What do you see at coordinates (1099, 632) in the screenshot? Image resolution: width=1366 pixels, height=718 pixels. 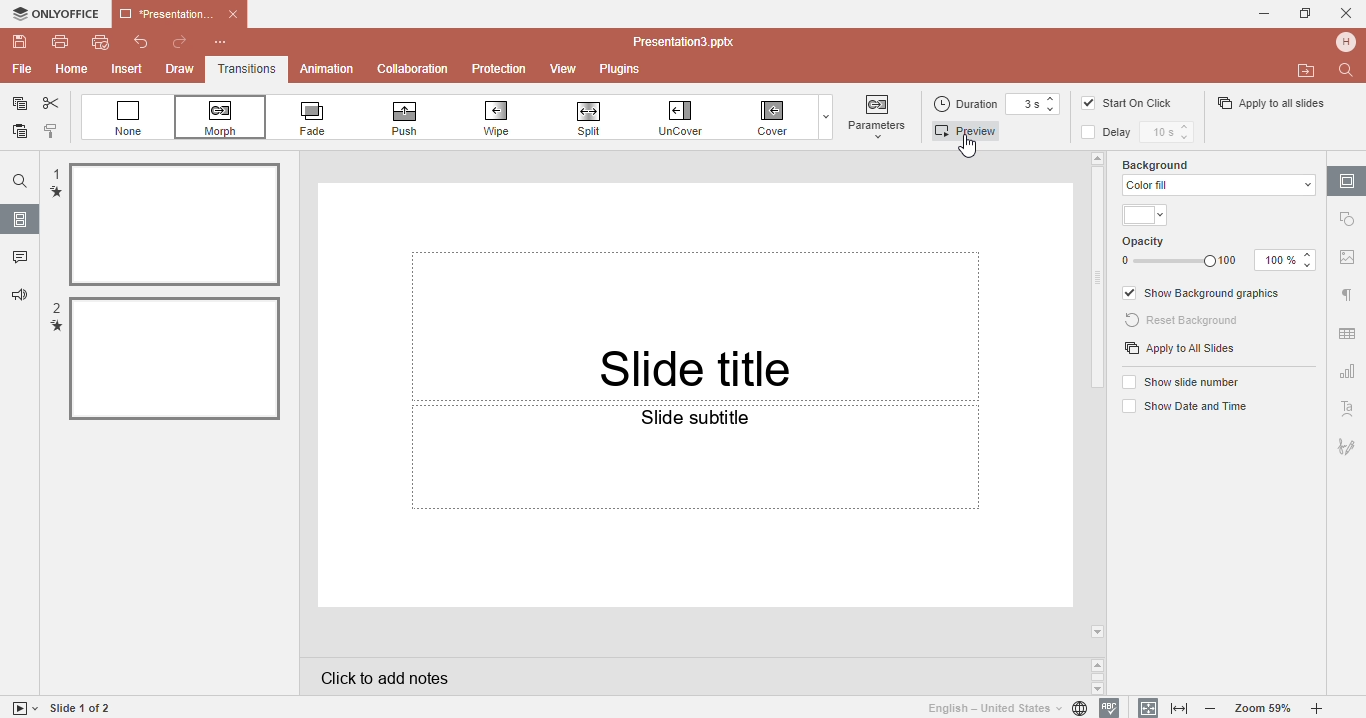 I see `arrow down` at bounding box center [1099, 632].